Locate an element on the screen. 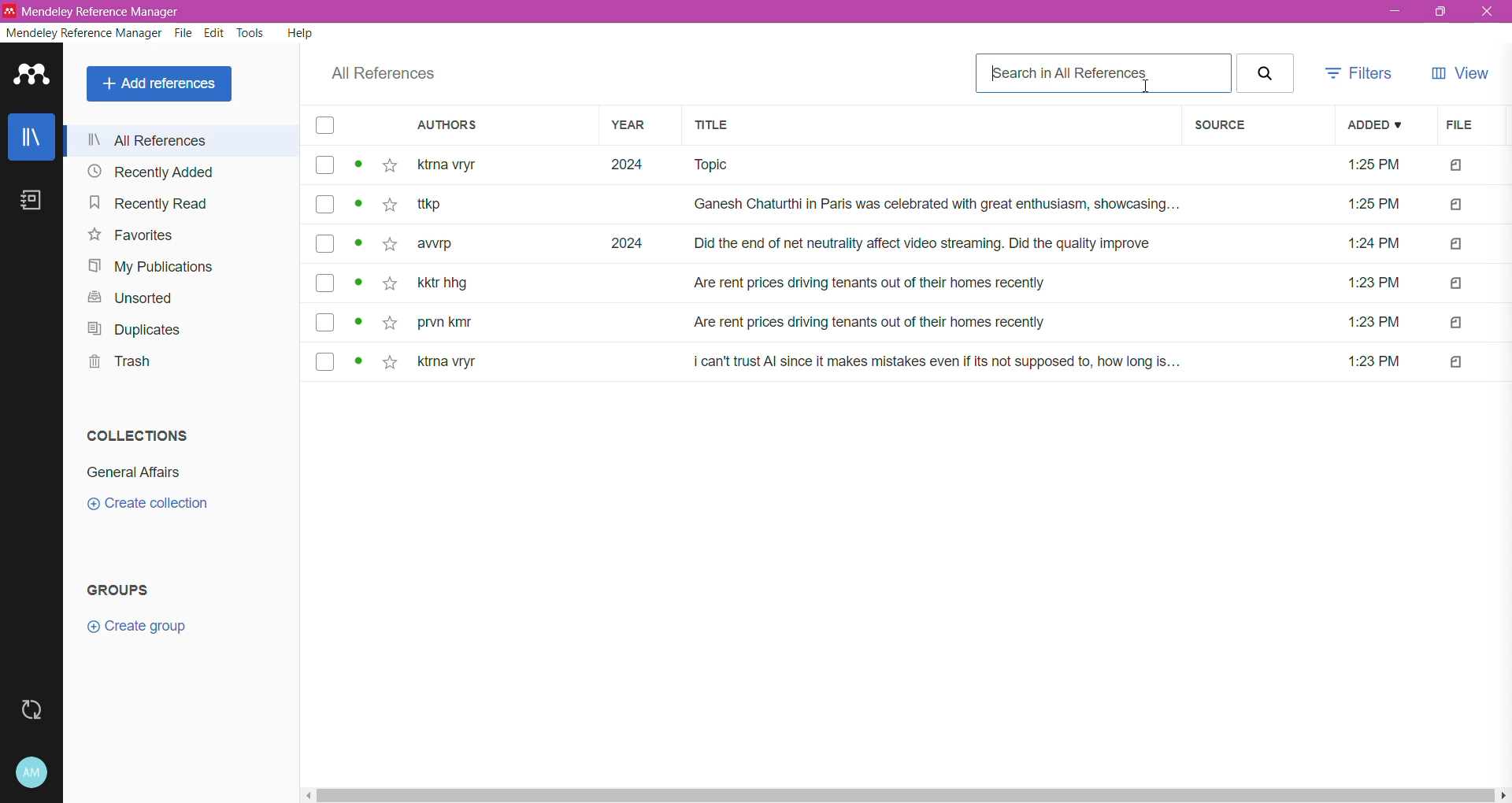 This screenshot has height=803, width=1512. Recently Read is located at coordinates (146, 203).